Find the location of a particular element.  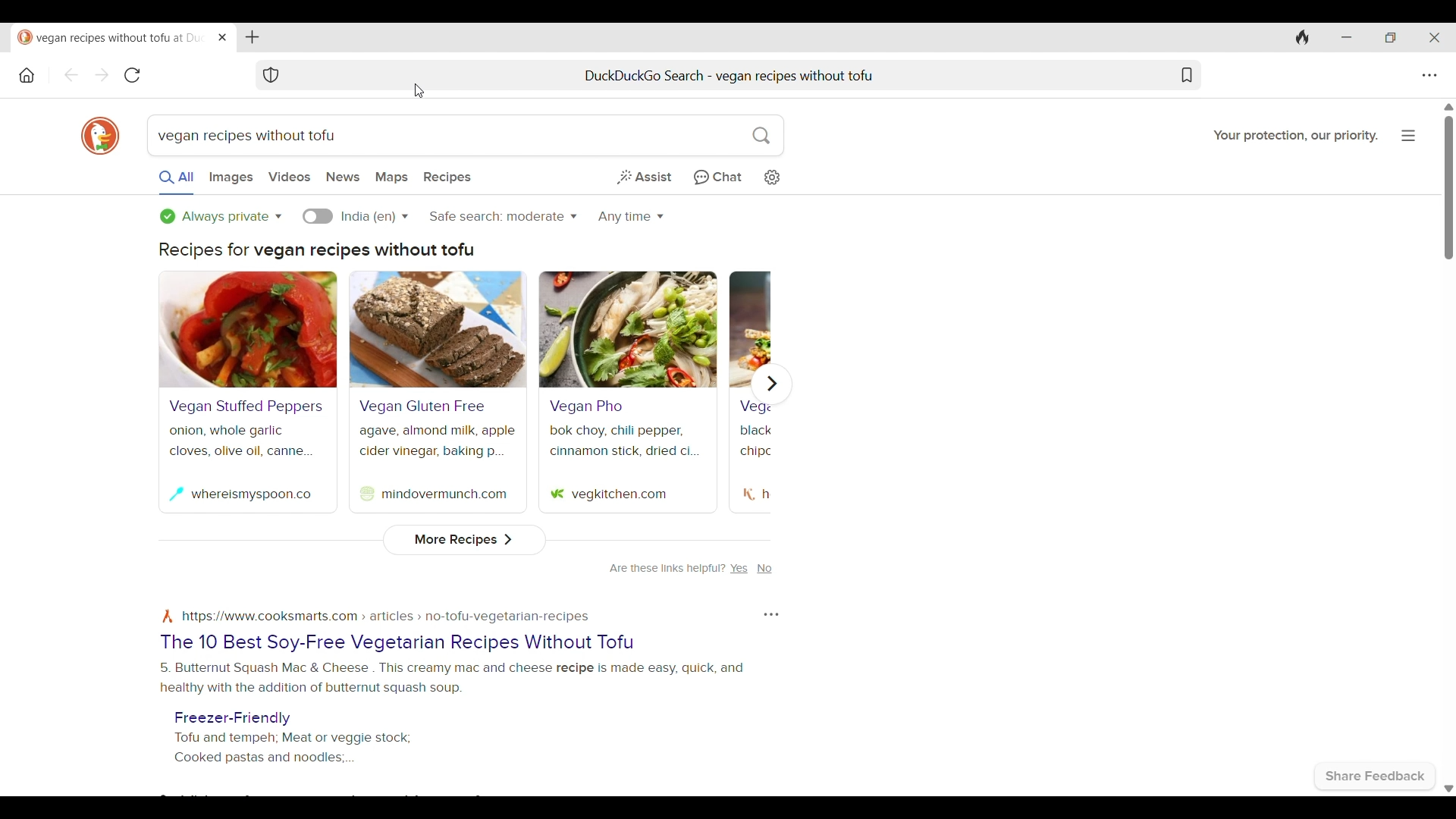

Recipes for vegan recipes without tofu is located at coordinates (316, 251).